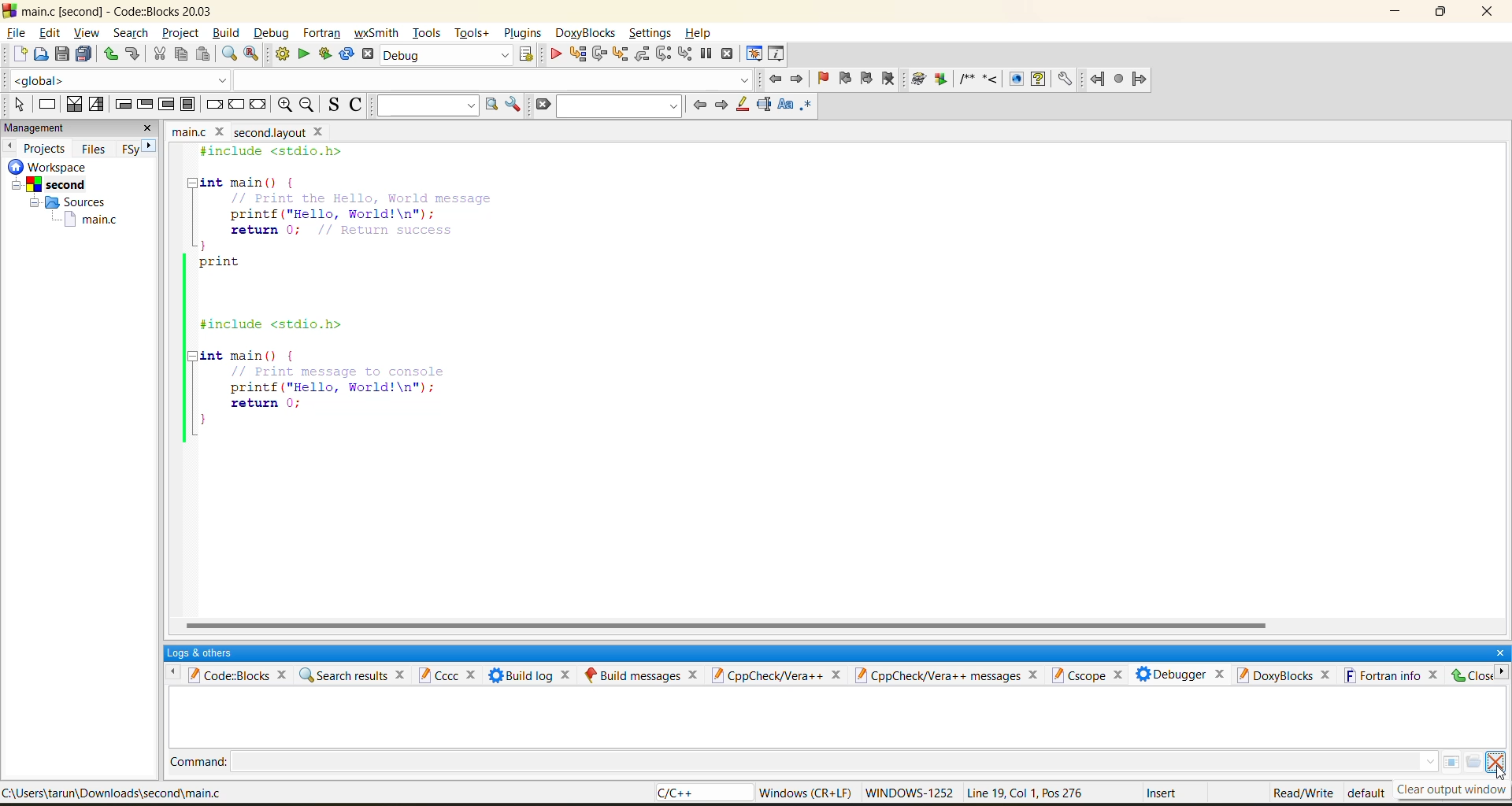  I want to click on toggle source, so click(331, 106).